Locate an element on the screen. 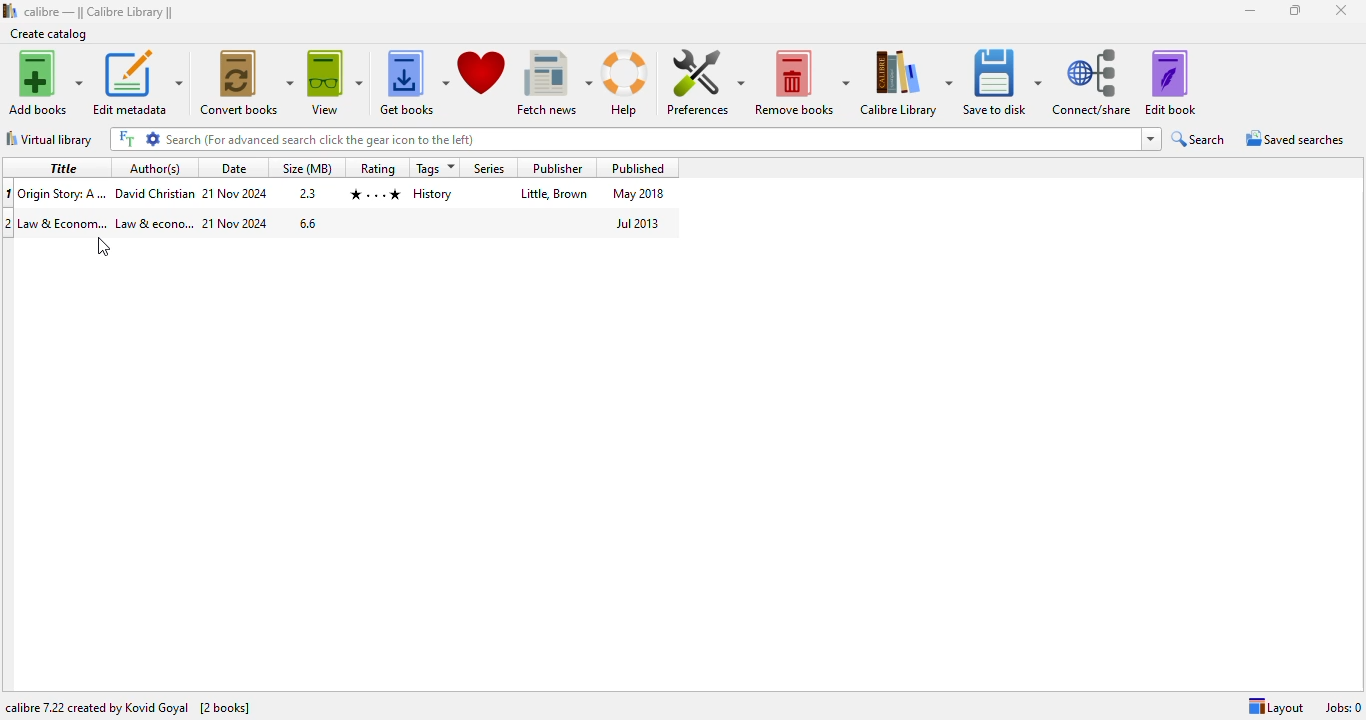 Image resolution: width=1366 pixels, height=720 pixels. calibre library is located at coordinates (906, 81).